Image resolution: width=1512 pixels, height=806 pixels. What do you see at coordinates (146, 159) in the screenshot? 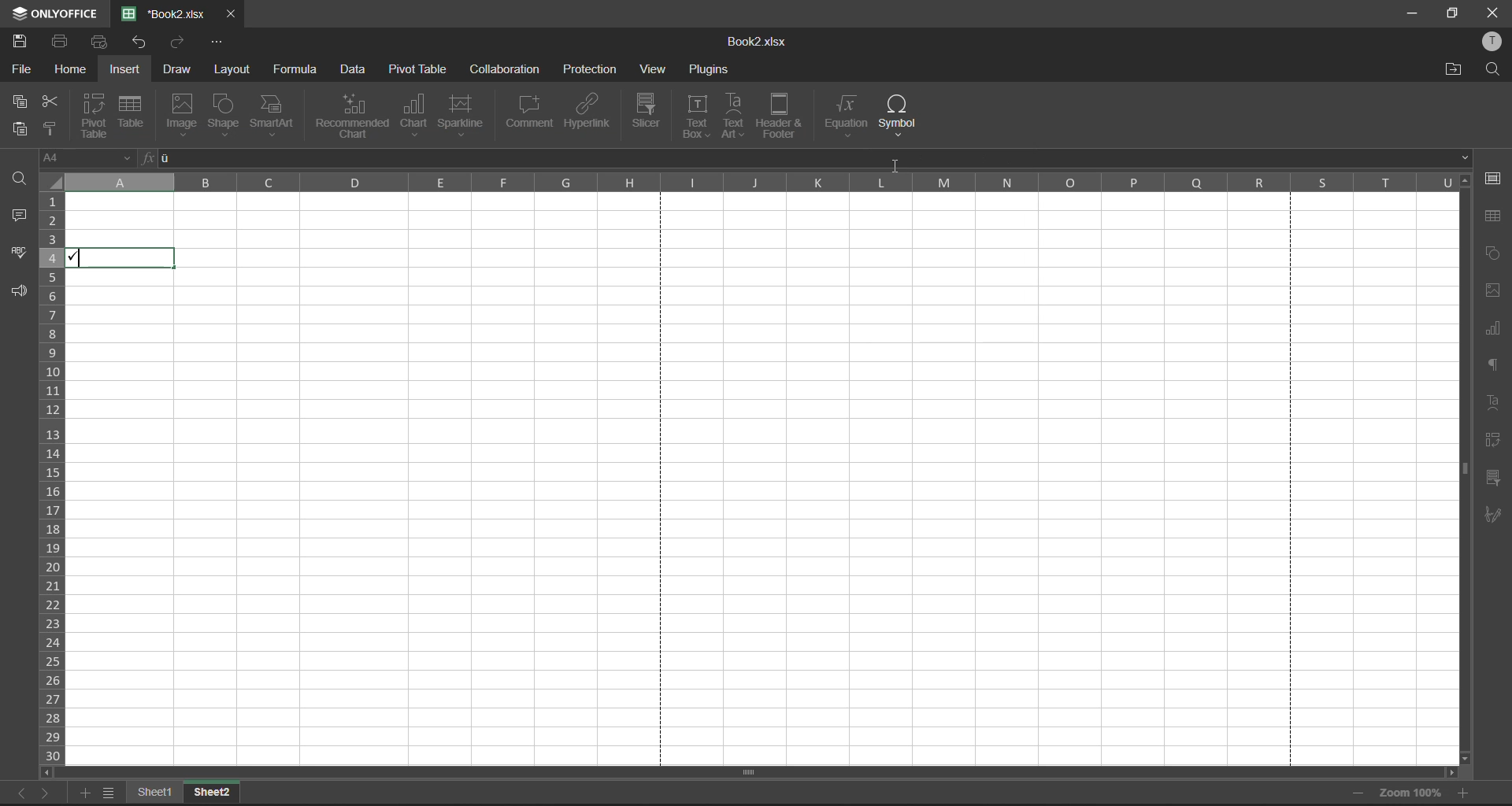
I see `fx` at bounding box center [146, 159].